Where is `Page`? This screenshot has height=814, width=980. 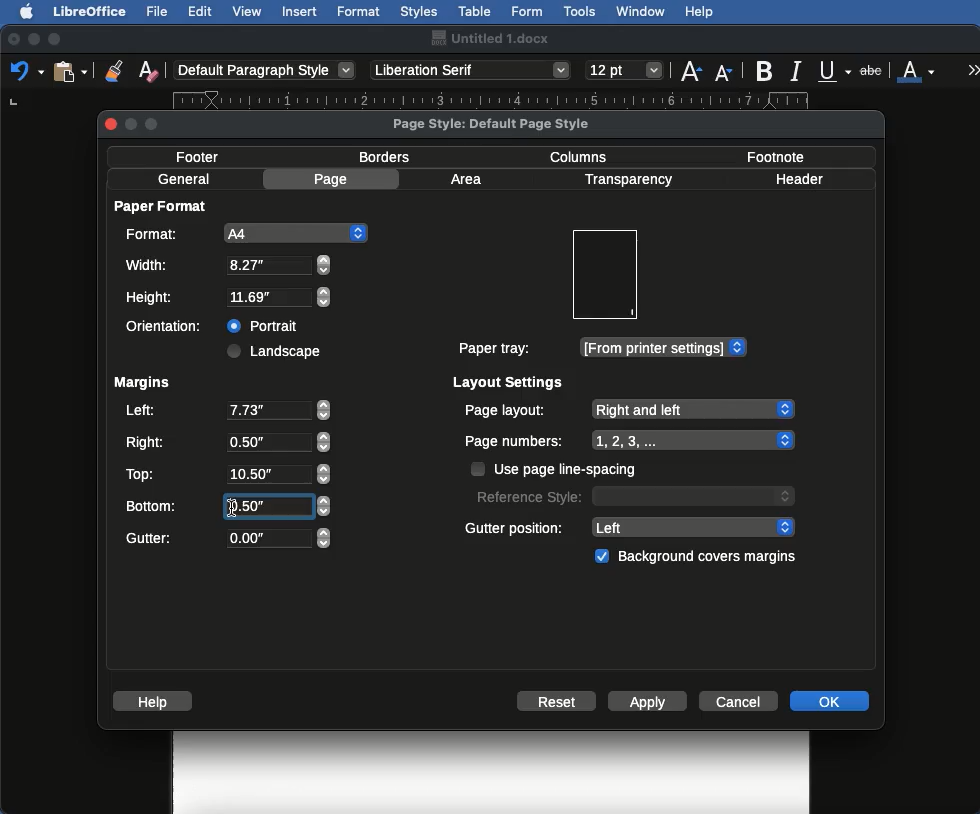
Page is located at coordinates (334, 179).